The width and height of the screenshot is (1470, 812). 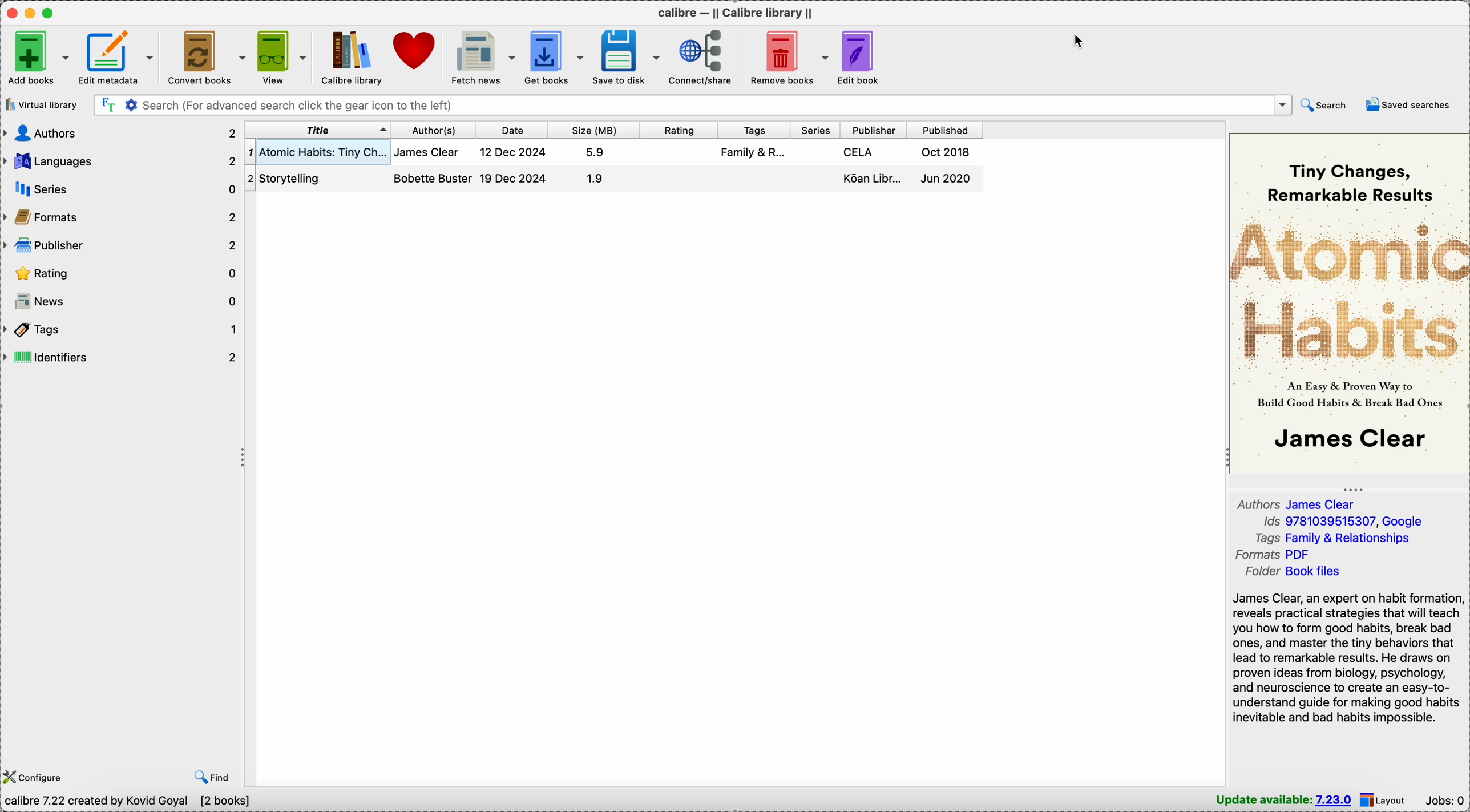 What do you see at coordinates (944, 130) in the screenshot?
I see `published` at bounding box center [944, 130].